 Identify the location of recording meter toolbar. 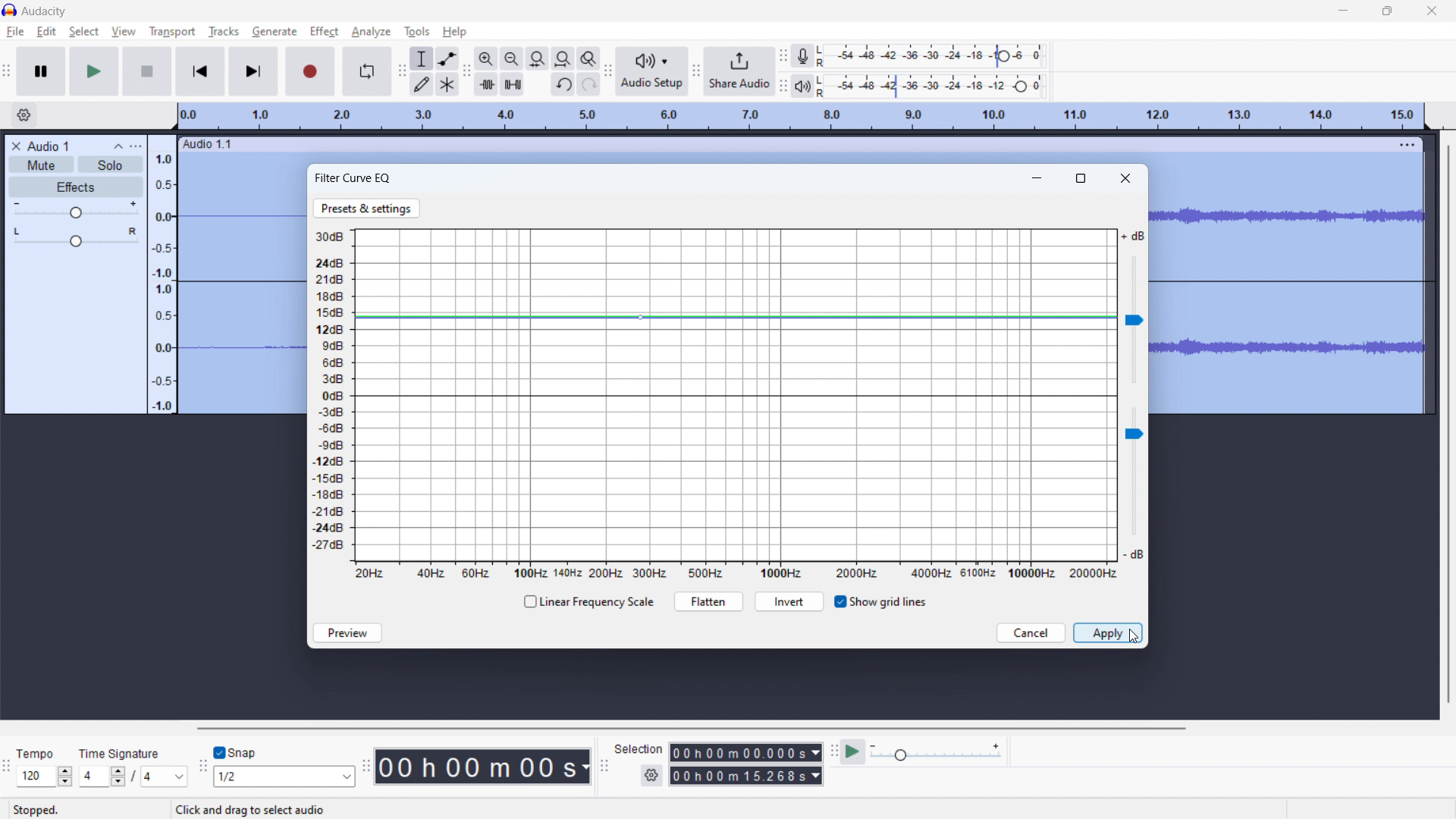
(784, 56).